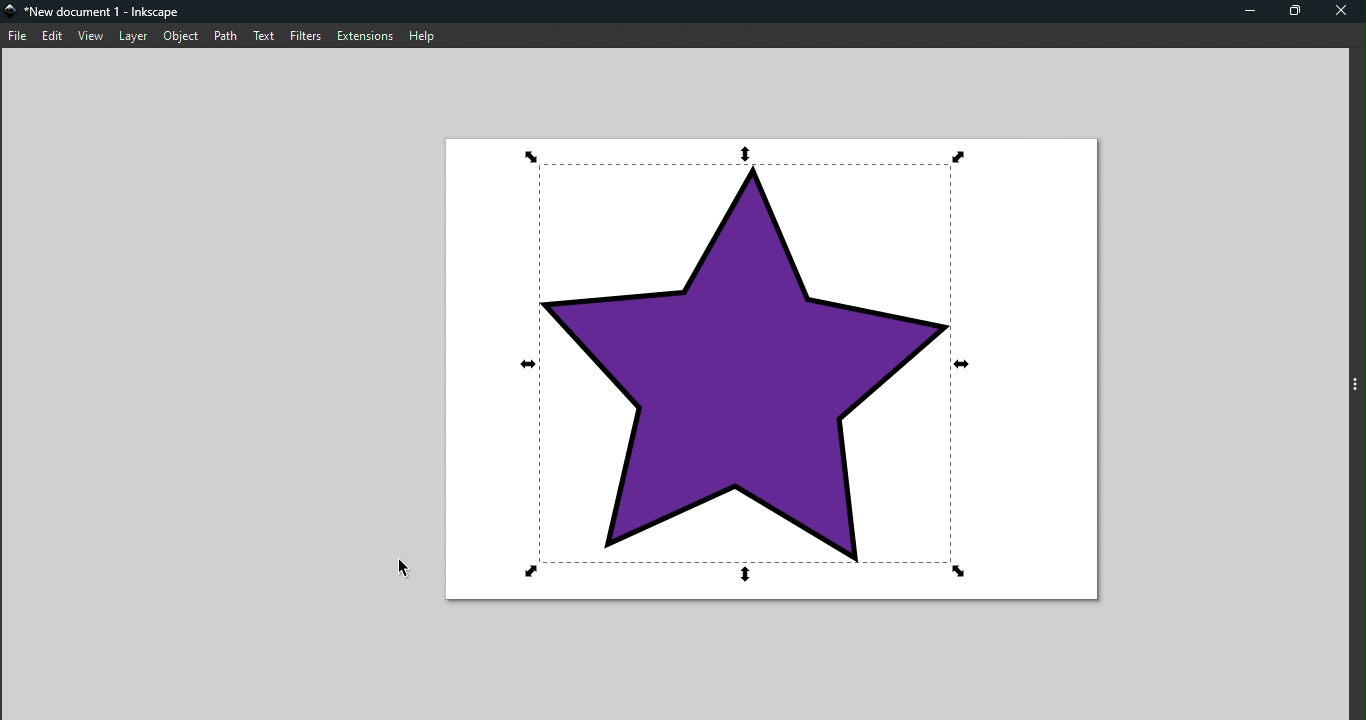 This screenshot has height=720, width=1366. I want to click on Cursor, so click(400, 573).